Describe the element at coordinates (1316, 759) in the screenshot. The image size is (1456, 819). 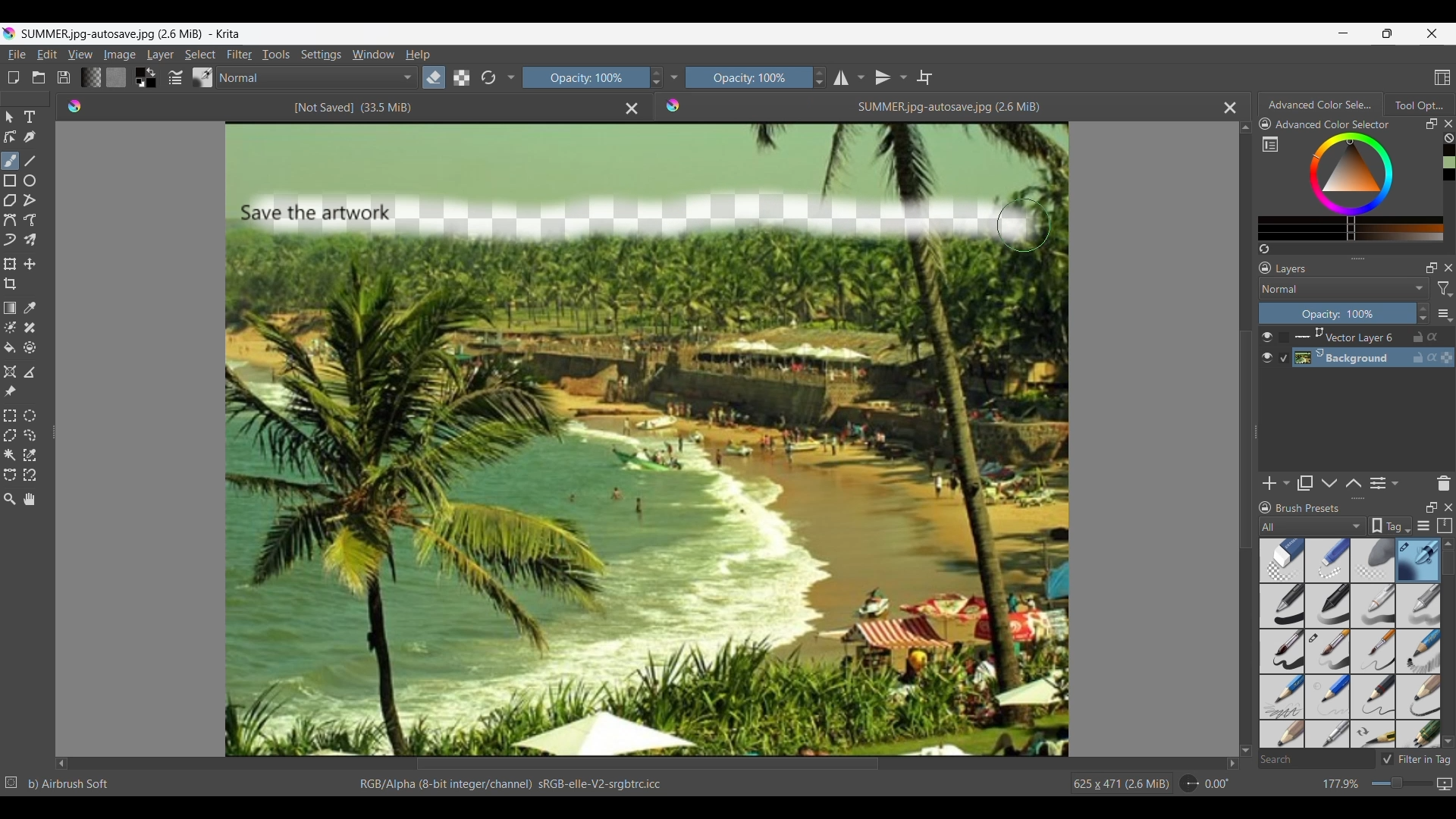
I see `Search box` at that location.